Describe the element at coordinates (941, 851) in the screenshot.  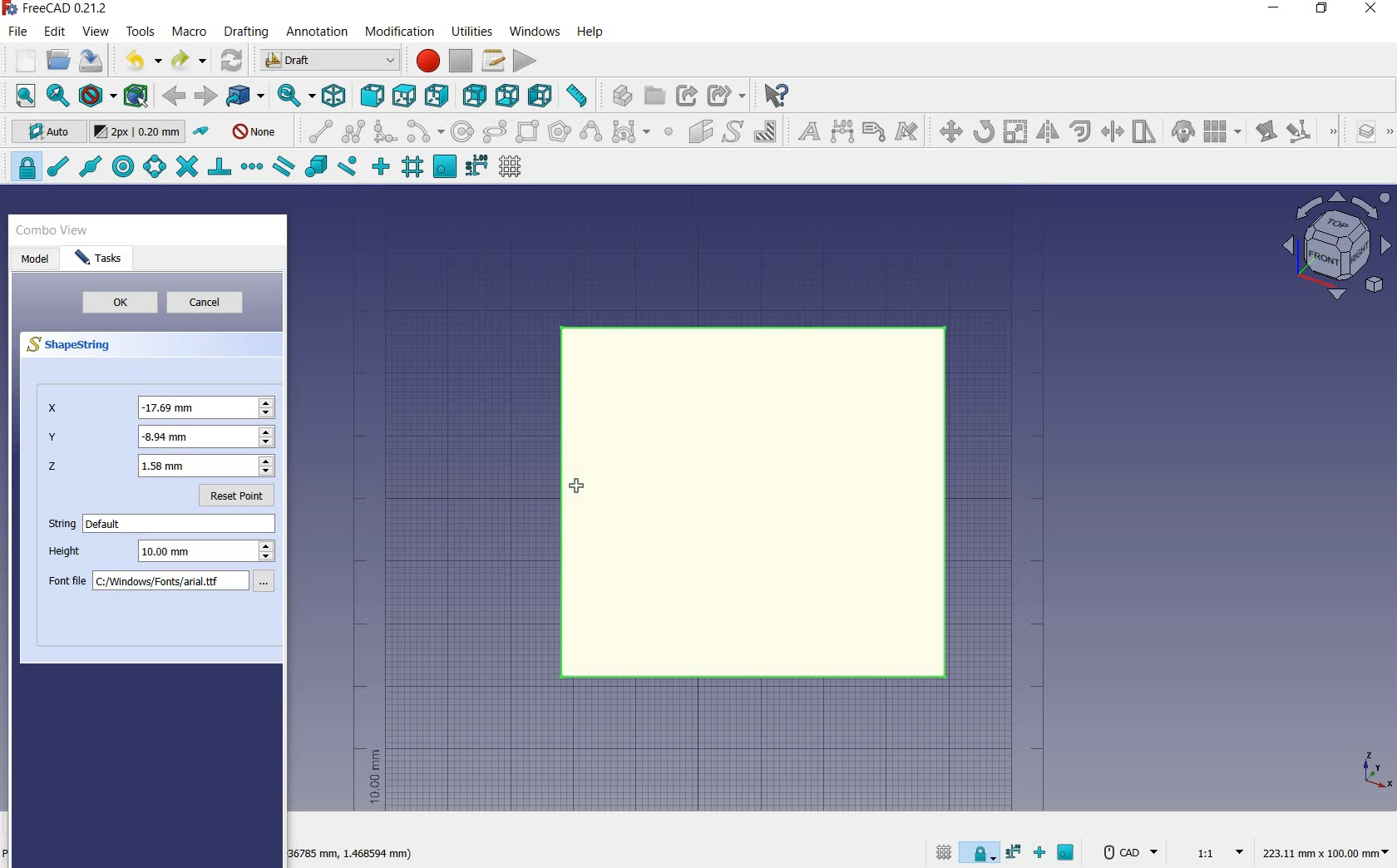
I see `toggle grid` at that location.